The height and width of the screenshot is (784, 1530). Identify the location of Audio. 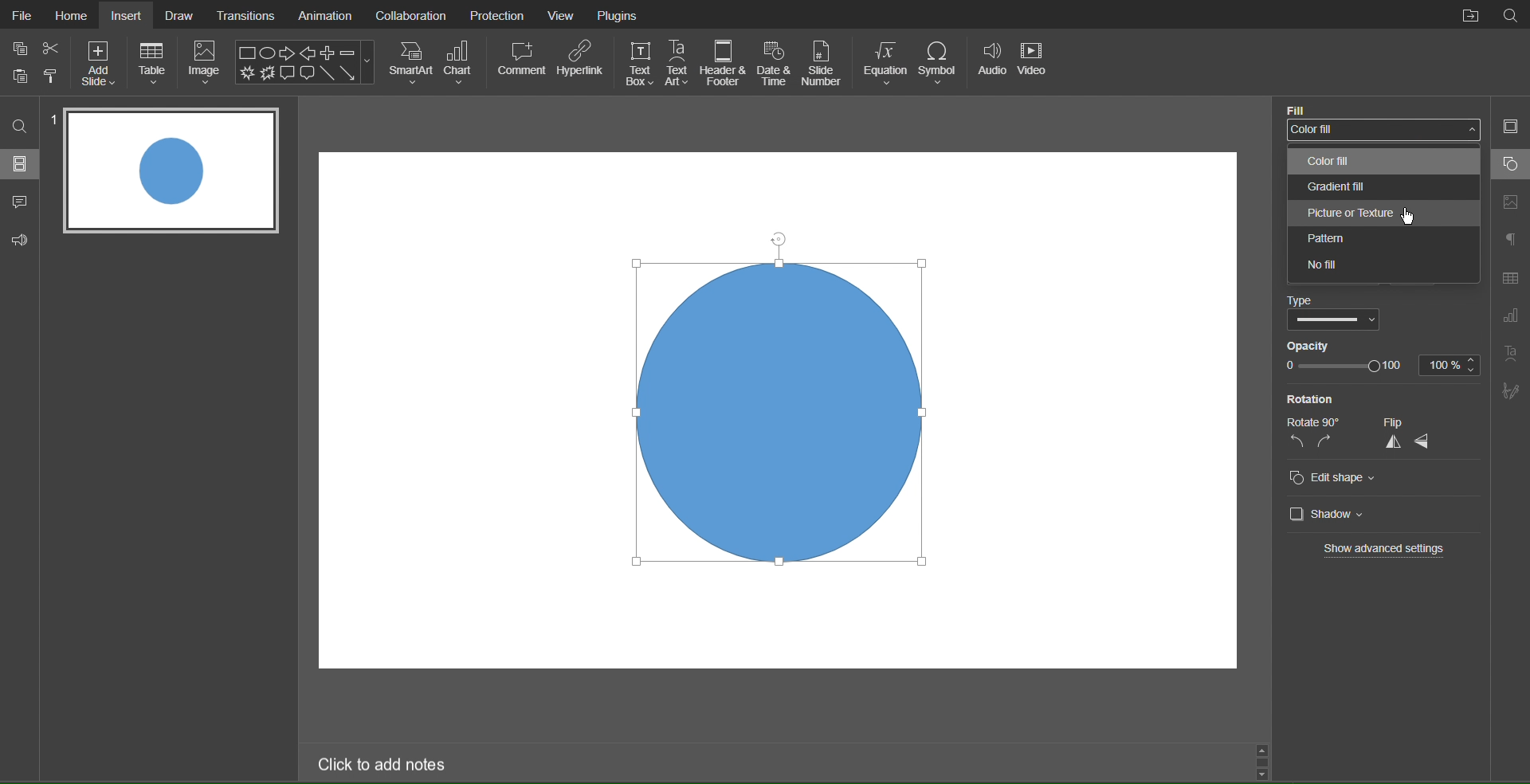
(992, 64).